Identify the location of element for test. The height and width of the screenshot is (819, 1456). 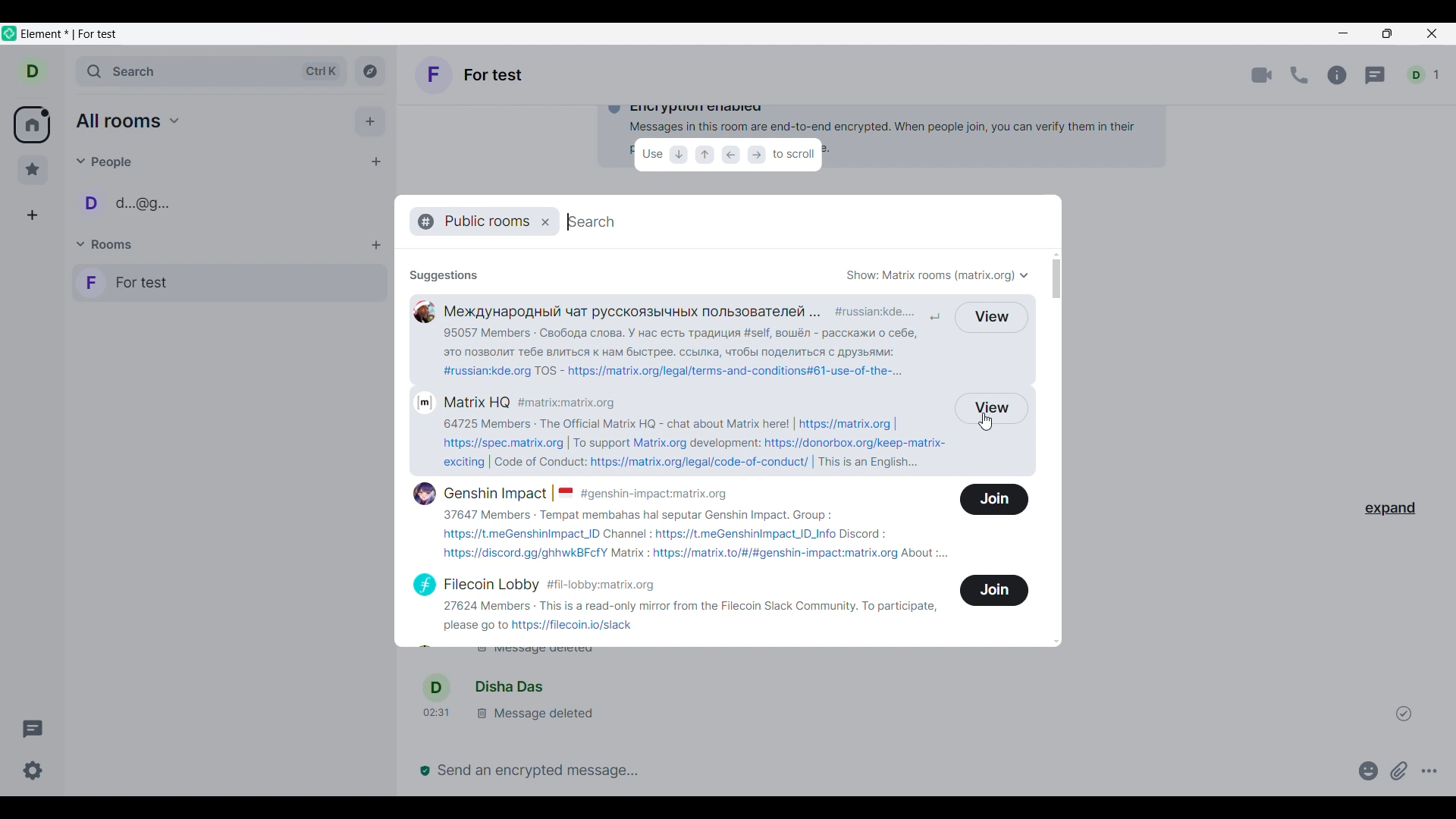
(68, 34).